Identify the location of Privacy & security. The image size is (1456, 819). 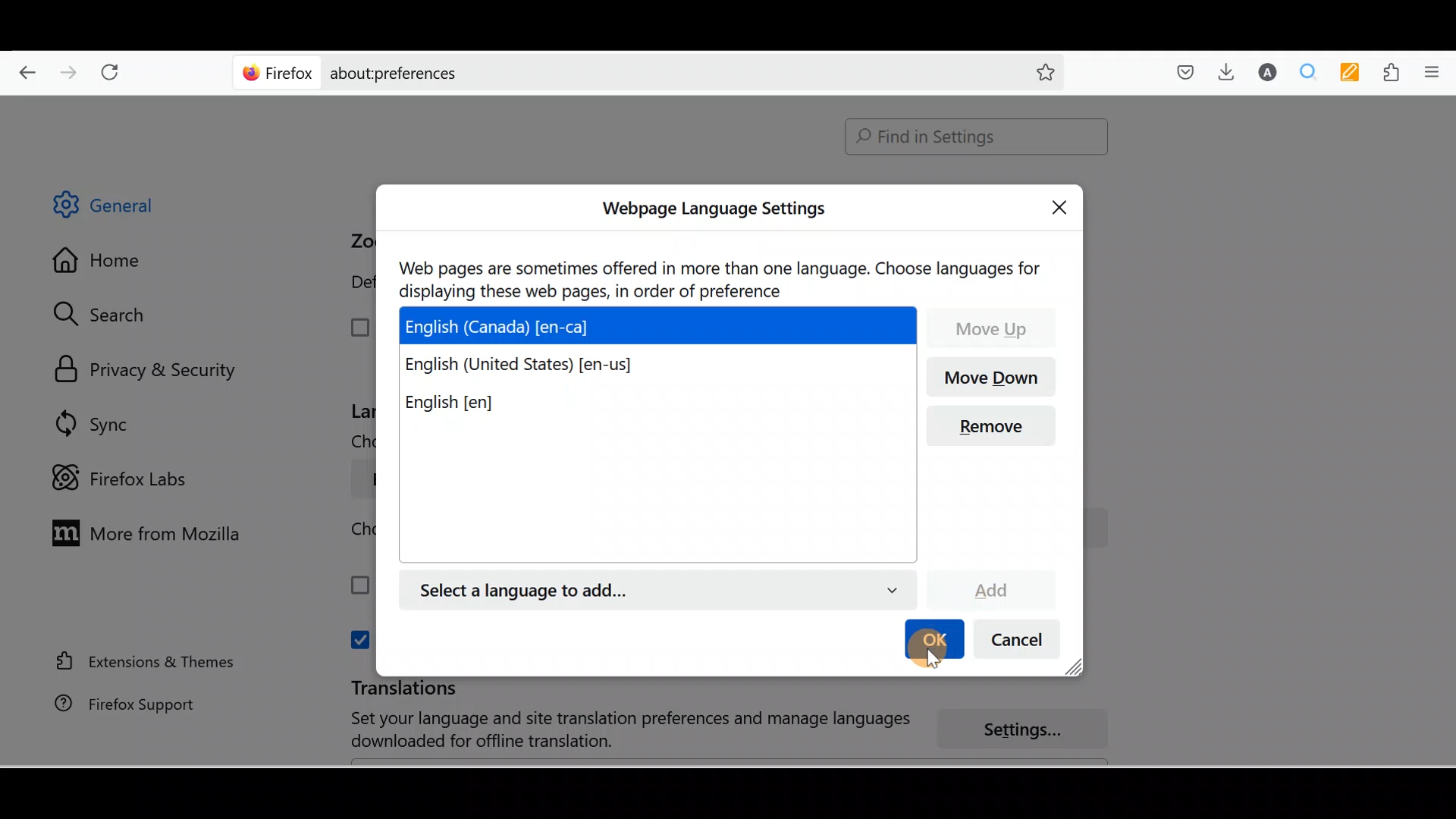
(152, 371).